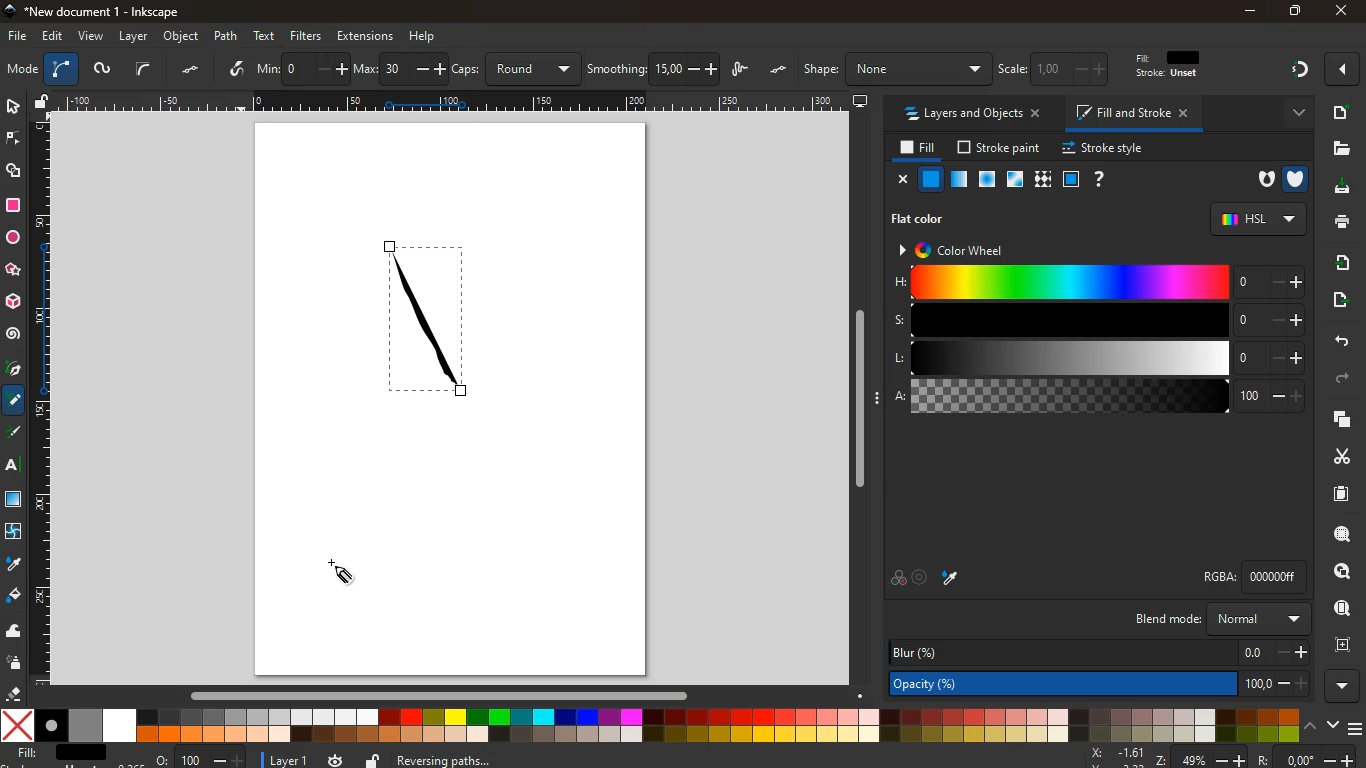 The image size is (1366, 768). I want to click on path, so click(225, 36).